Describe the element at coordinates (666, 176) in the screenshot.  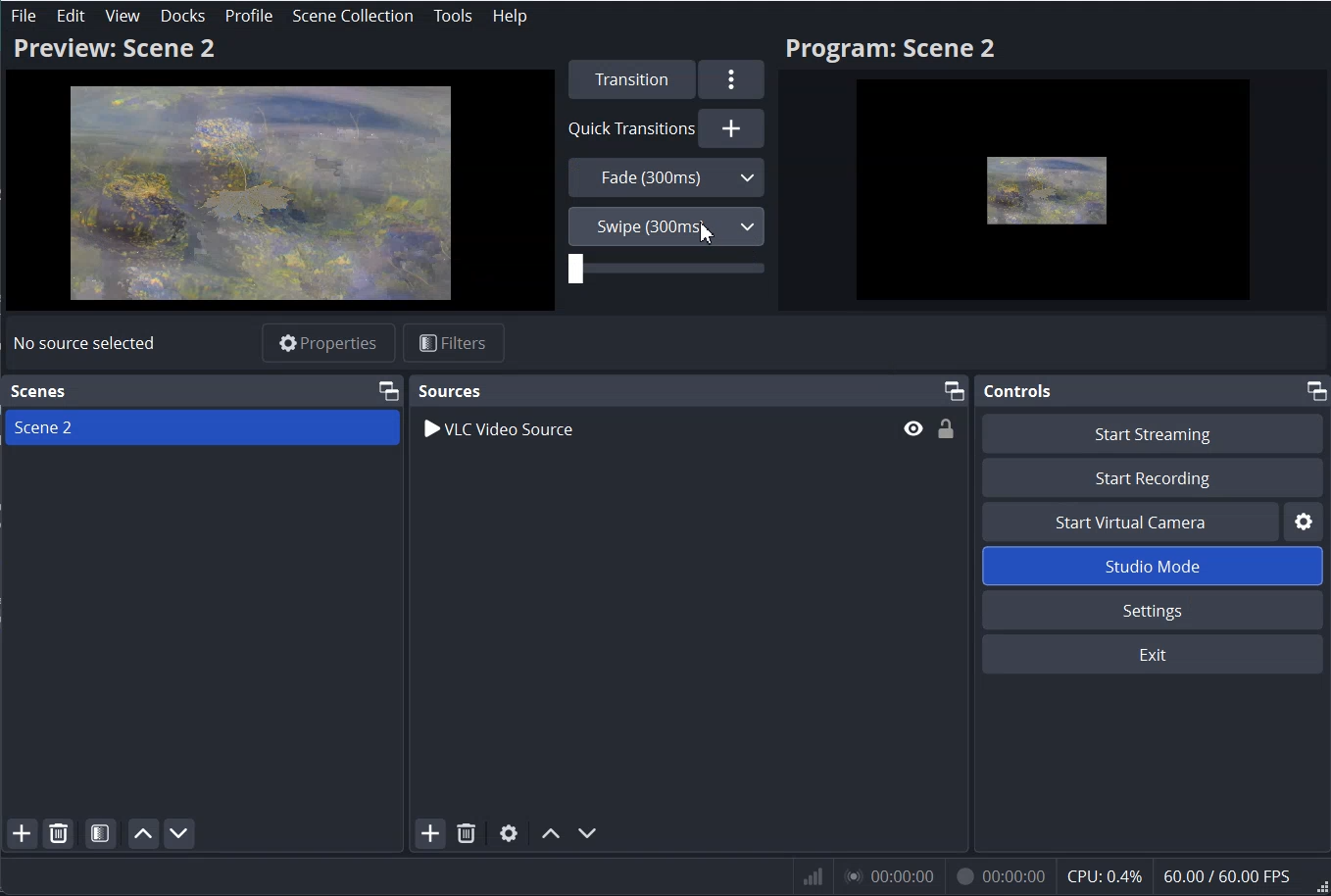
I see `Fade` at that location.